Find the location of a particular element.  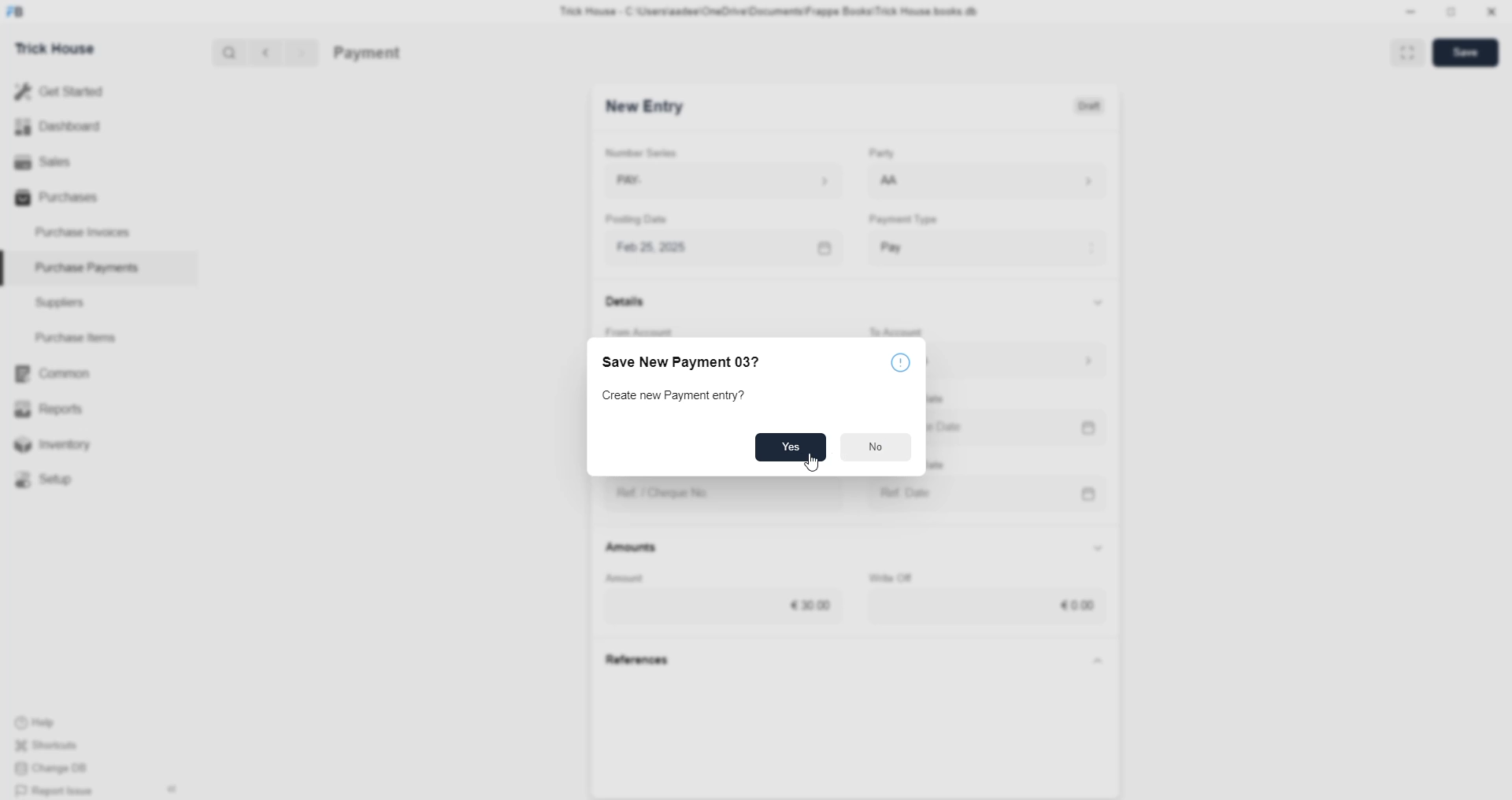

€30.00 is located at coordinates (814, 602).